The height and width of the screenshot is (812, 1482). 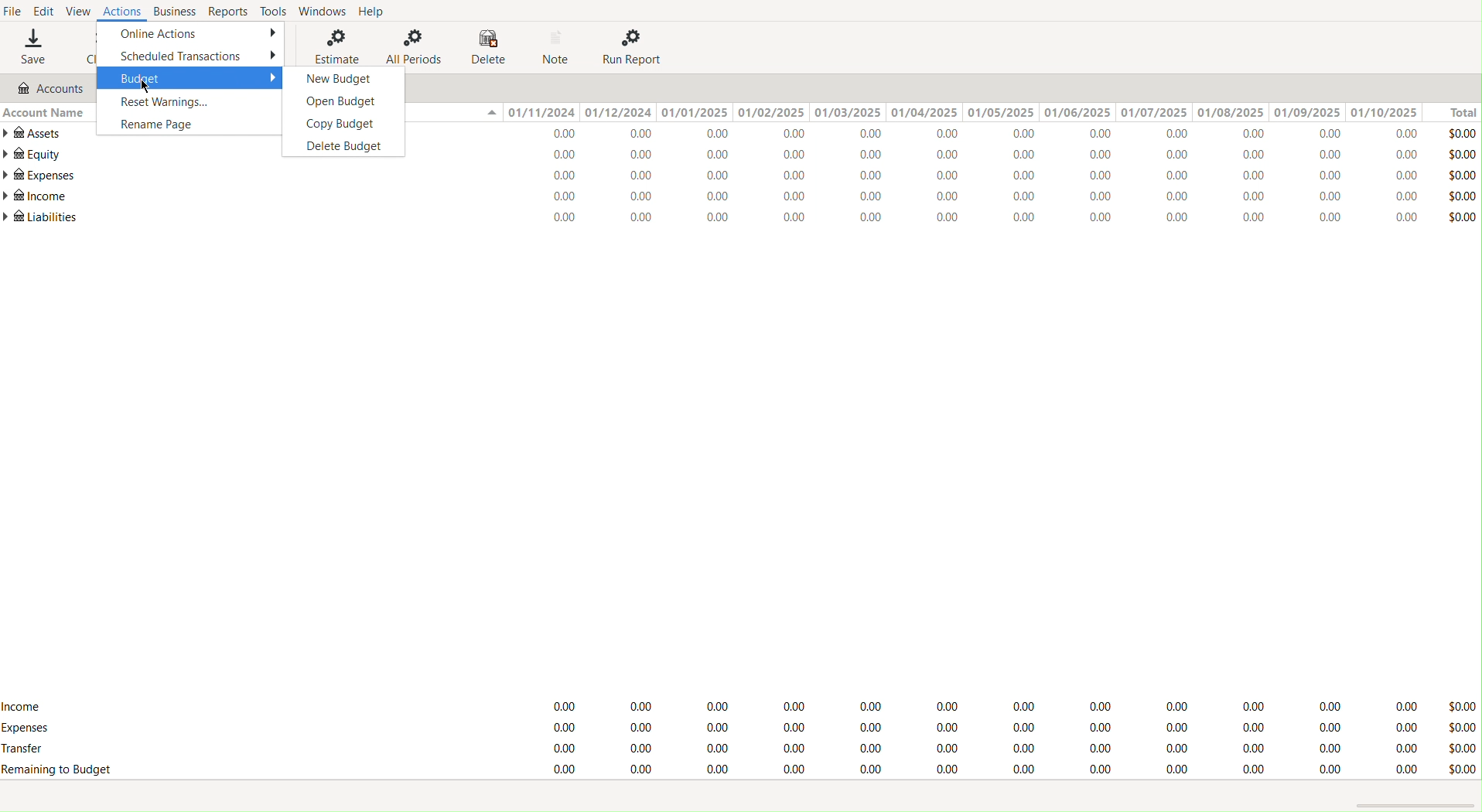 I want to click on Collapse or expand, so click(x=490, y=114).